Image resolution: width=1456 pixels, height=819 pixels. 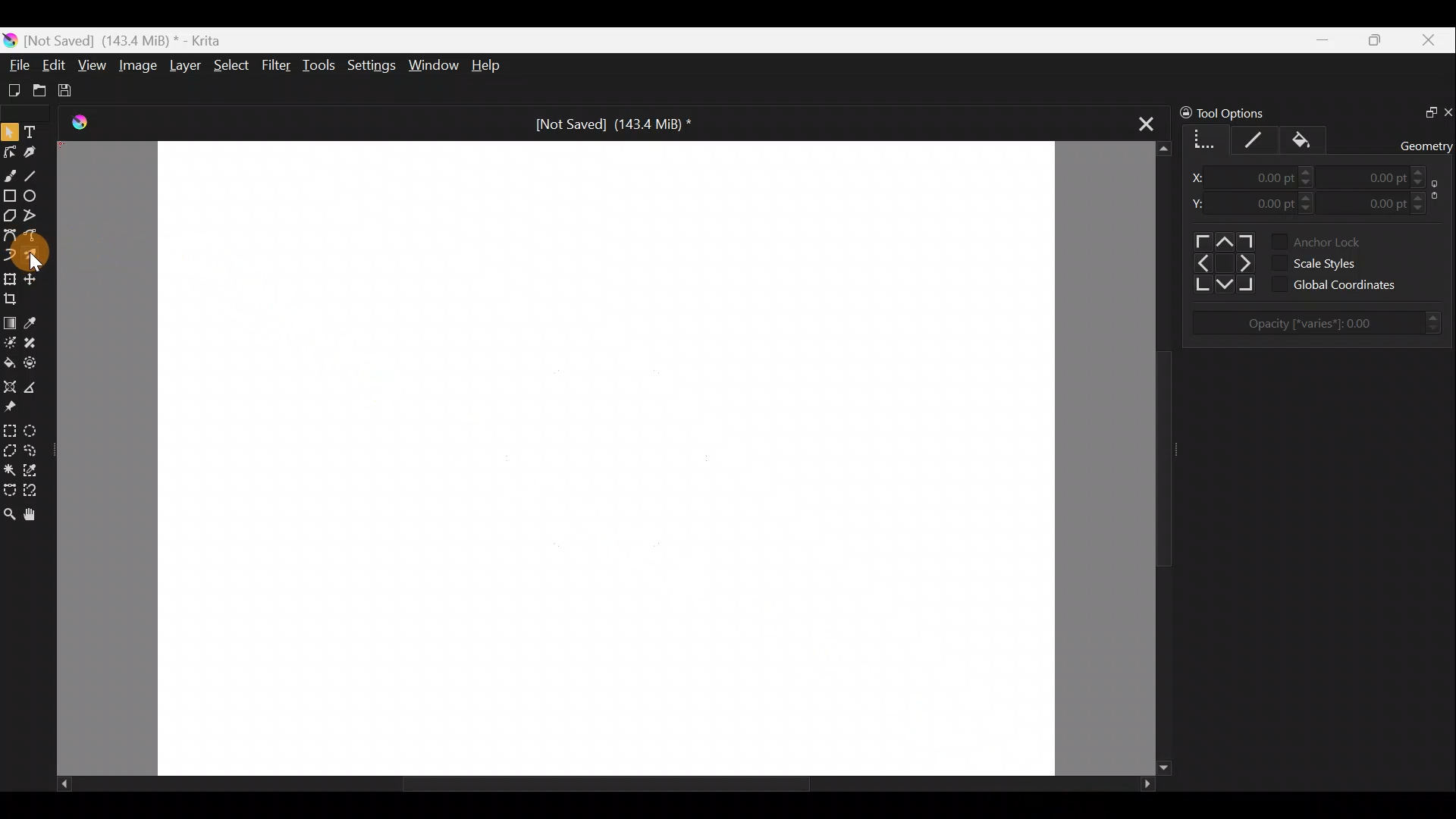 What do you see at coordinates (9, 215) in the screenshot?
I see `Polygon` at bounding box center [9, 215].